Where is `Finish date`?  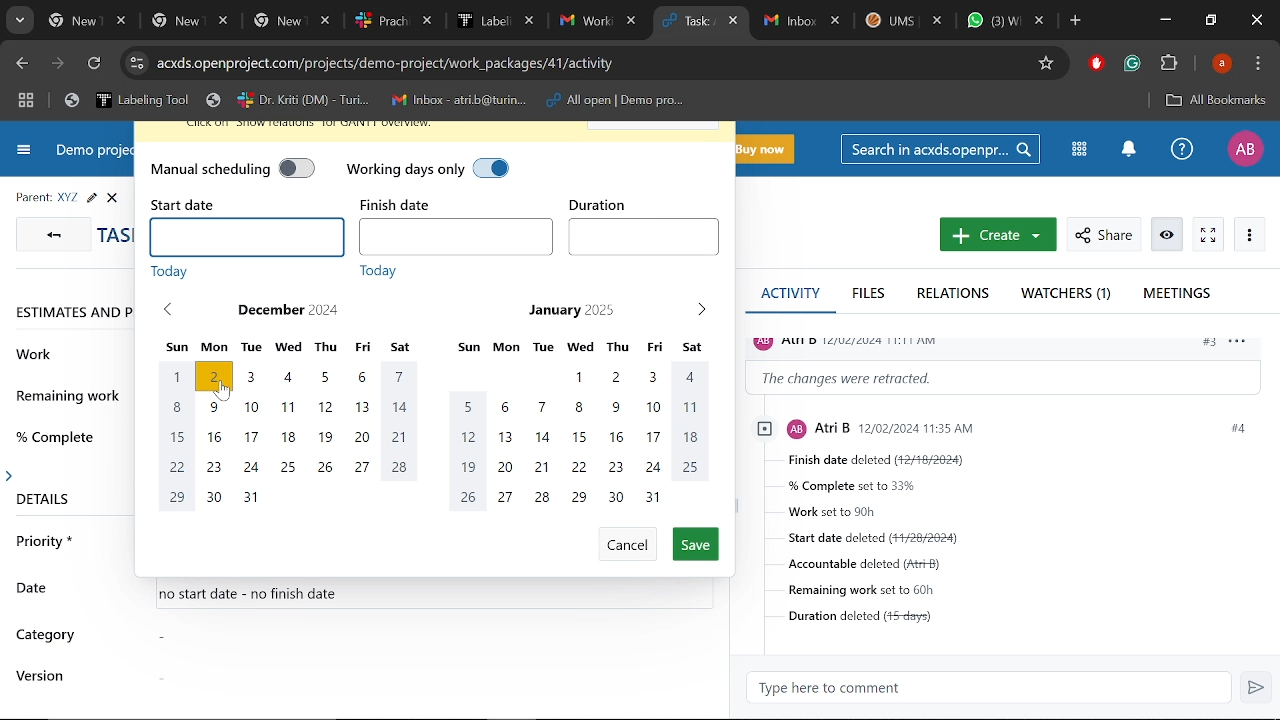 Finish date is located at coordinates (455, 237).